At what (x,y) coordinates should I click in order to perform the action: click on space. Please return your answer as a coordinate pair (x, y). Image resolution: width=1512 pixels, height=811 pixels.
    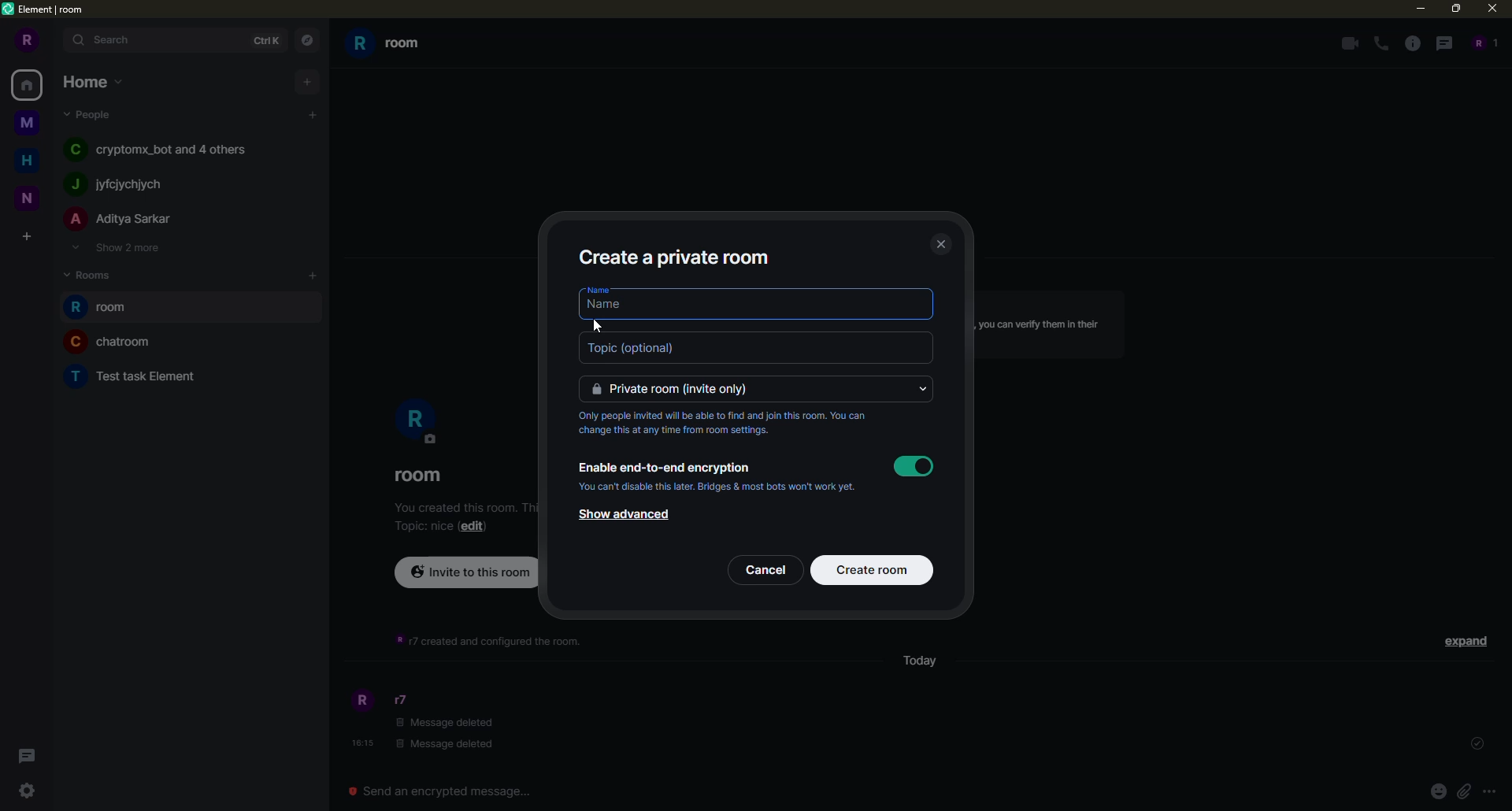
    Looking at the image, I should click on (29, 197).